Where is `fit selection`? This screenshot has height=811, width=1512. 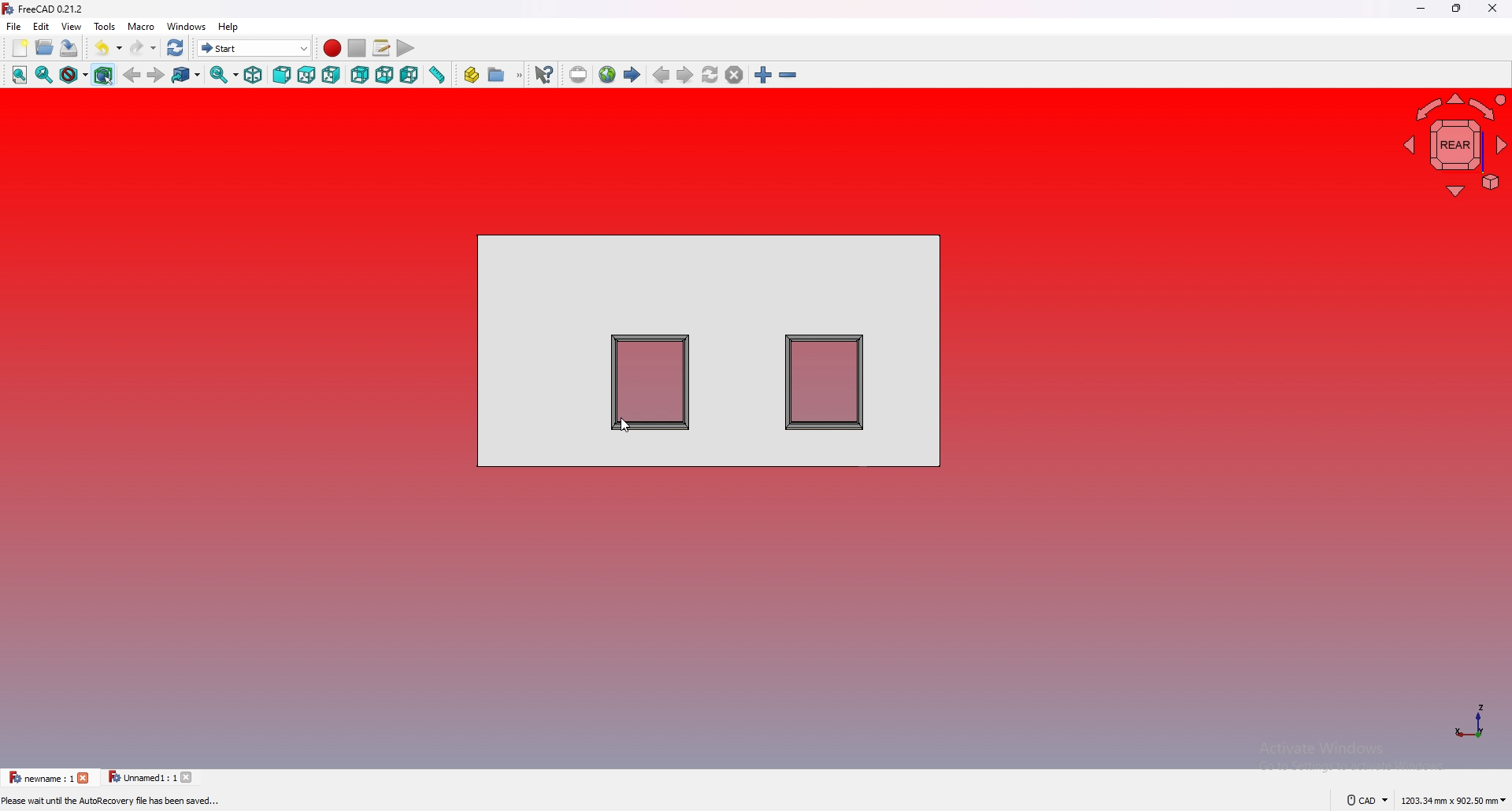 fit selection is located at coordinates (44, 74).